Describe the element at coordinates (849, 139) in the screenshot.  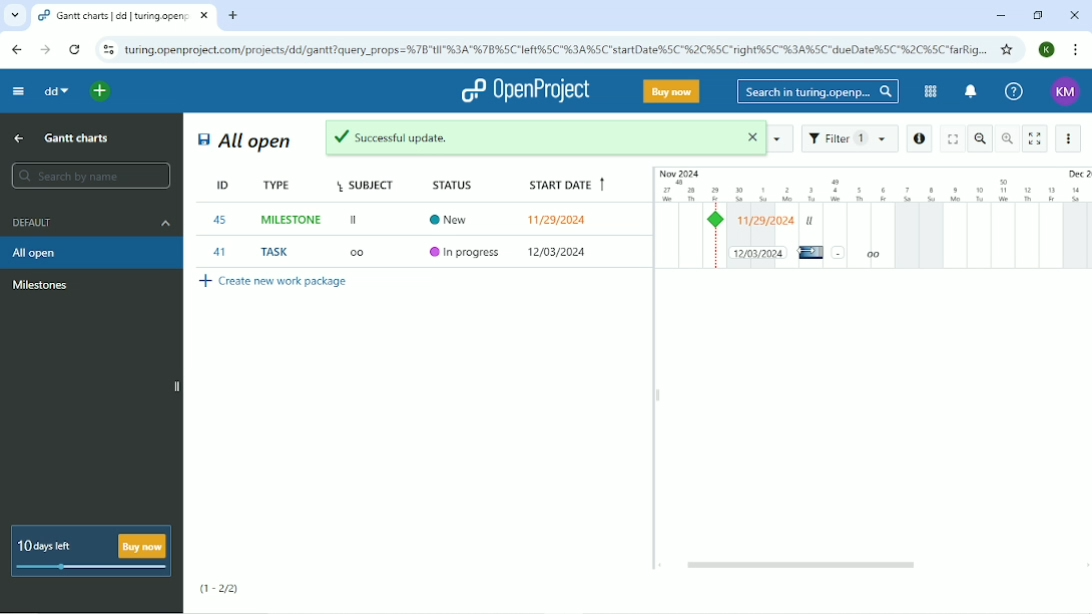
I see `Filter` at that location.